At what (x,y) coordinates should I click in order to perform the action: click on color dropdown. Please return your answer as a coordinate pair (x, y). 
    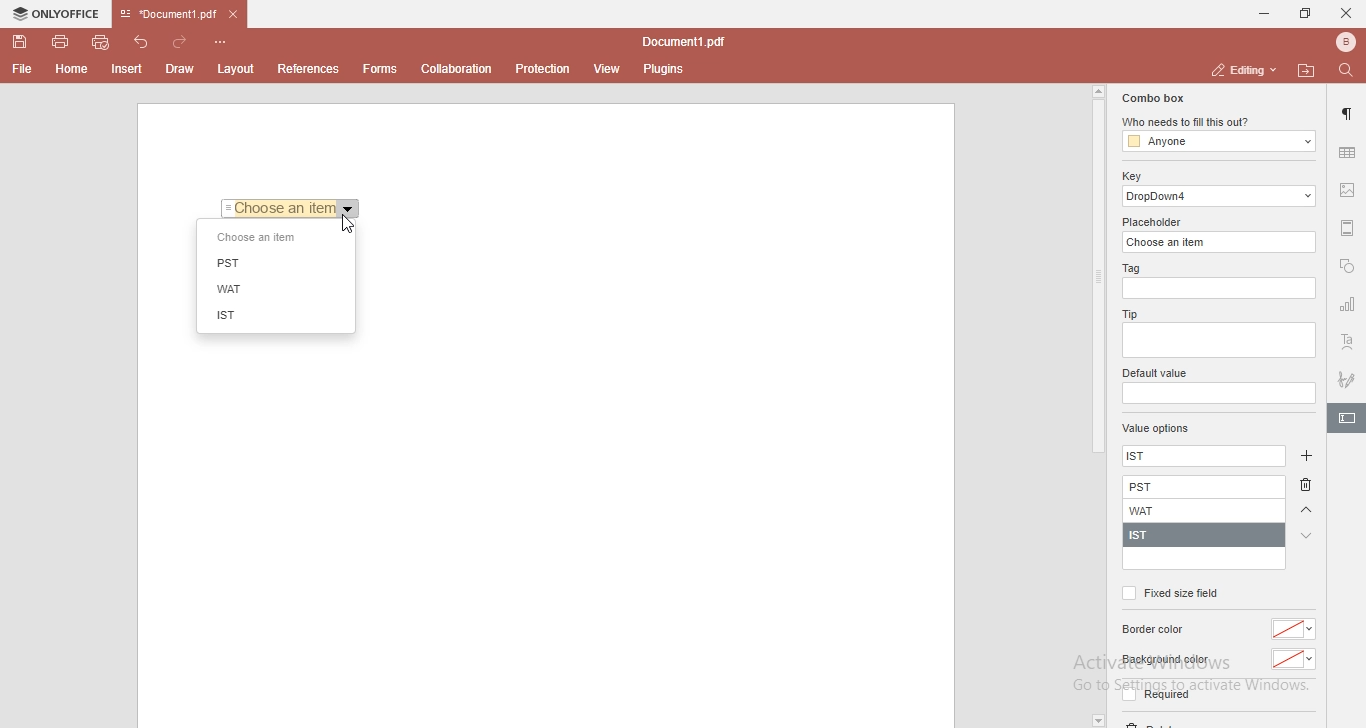
    Looking at the image, I should click on (1294, 660).